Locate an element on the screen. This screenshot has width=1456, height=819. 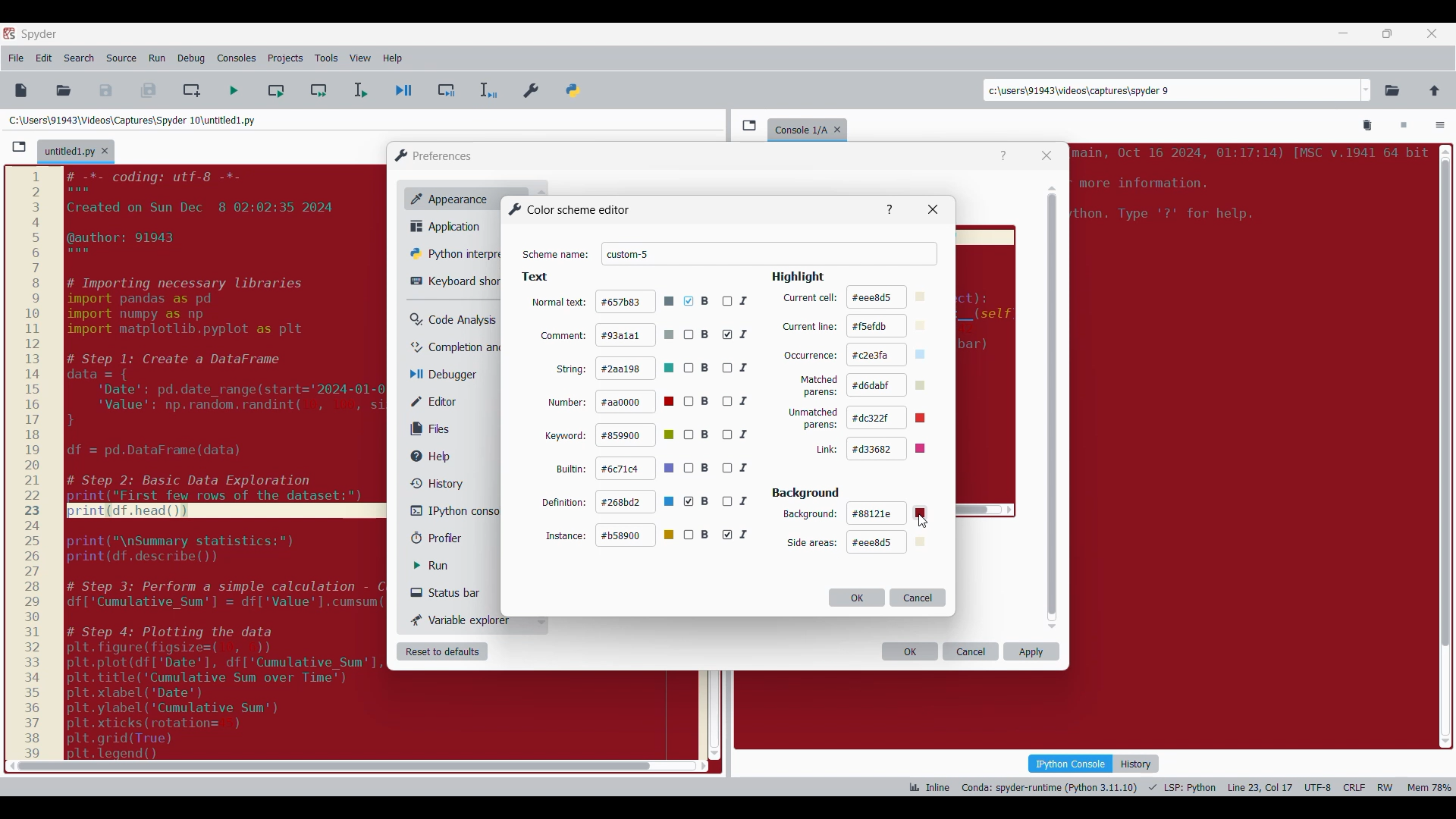
B is located at coordinates (698, 302).